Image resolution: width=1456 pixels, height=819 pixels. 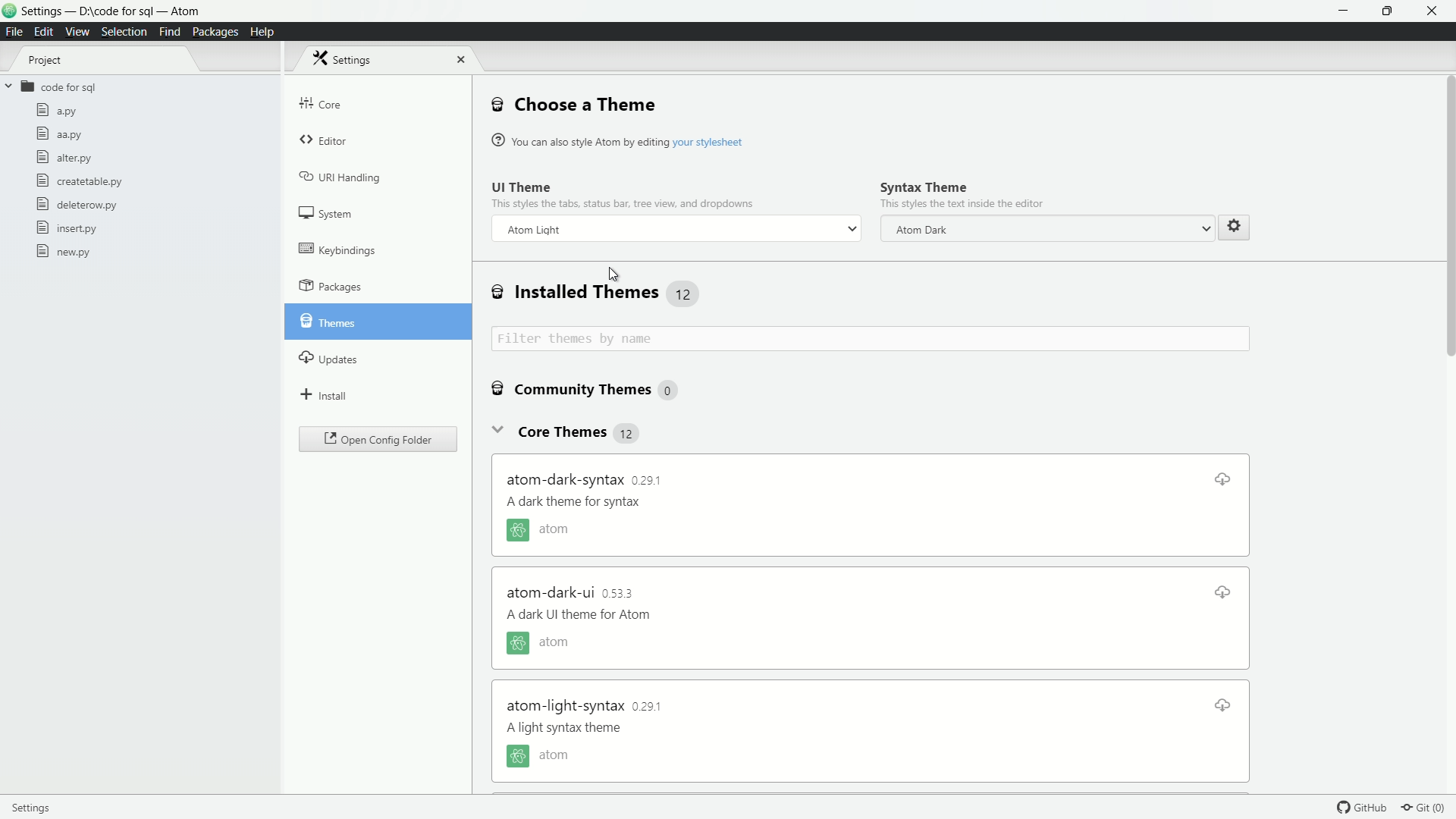 I want to click on syntax theme, so click(x=924, y=187).